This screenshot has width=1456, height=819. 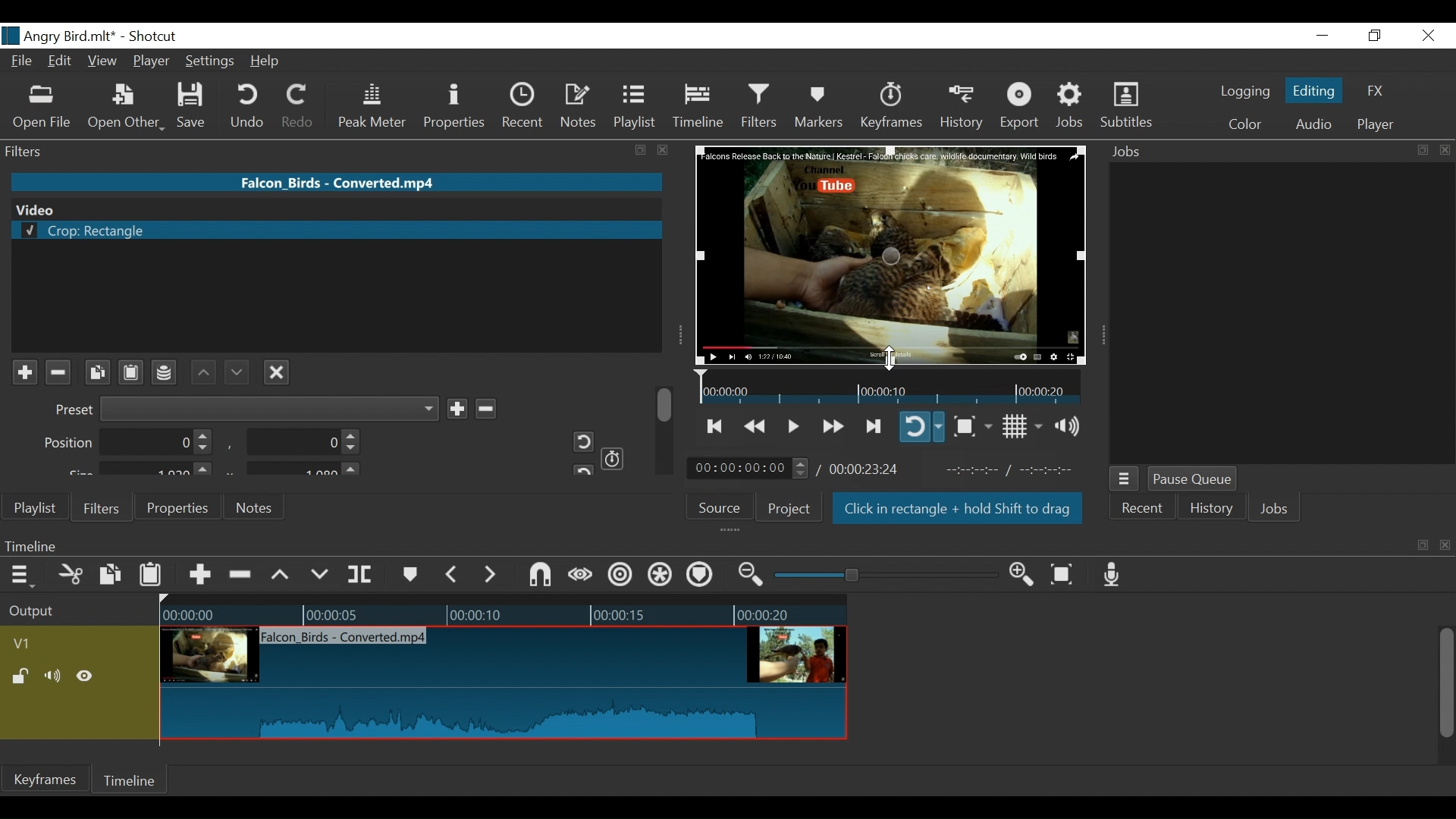 What do you see at coordinates (831, 428) in the screenshot?
I see `play forward quickly` at bounding box center [831, 428].